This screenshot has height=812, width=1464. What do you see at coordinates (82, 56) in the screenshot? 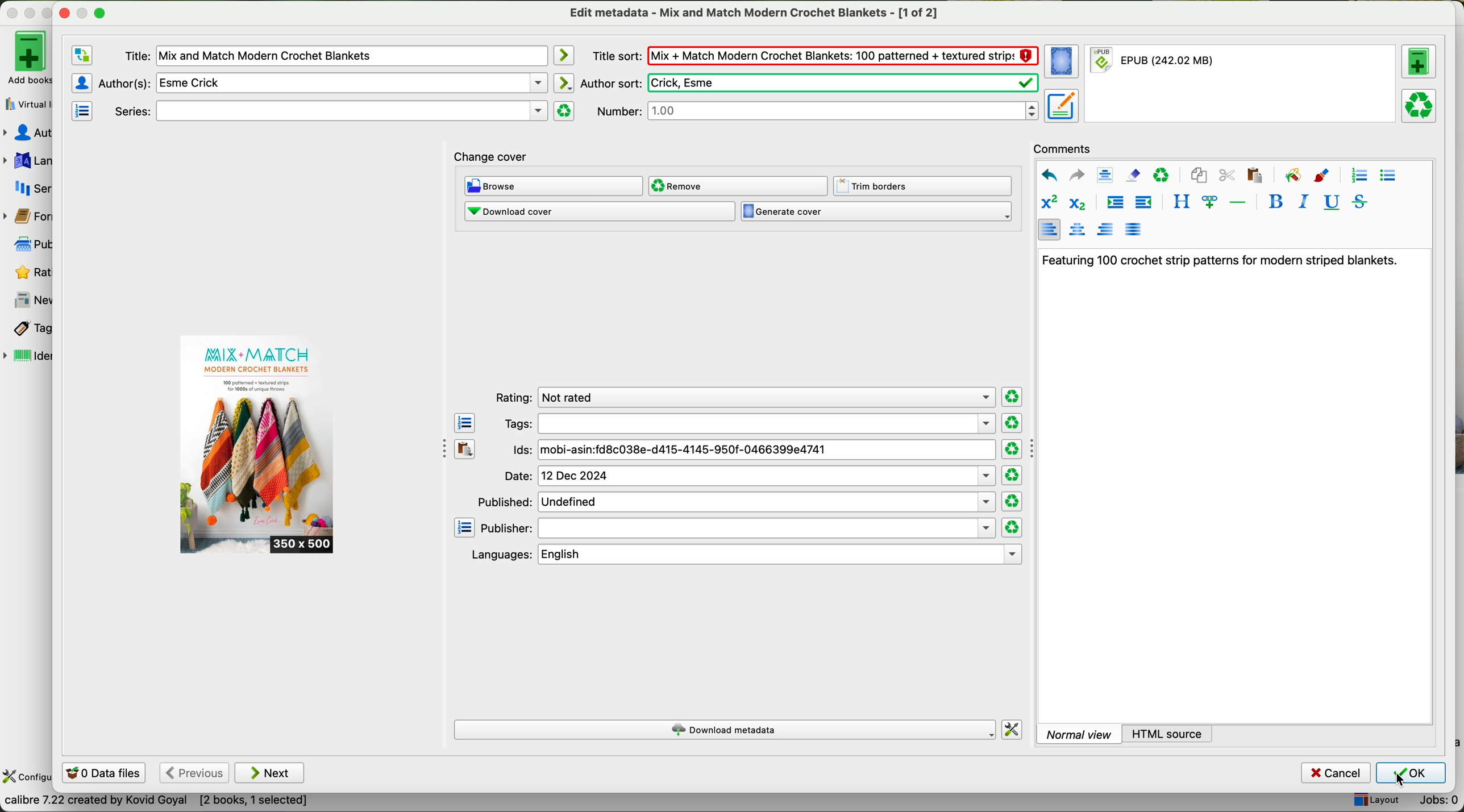
I see `swap the author and title` at bounding box center [82, 56].